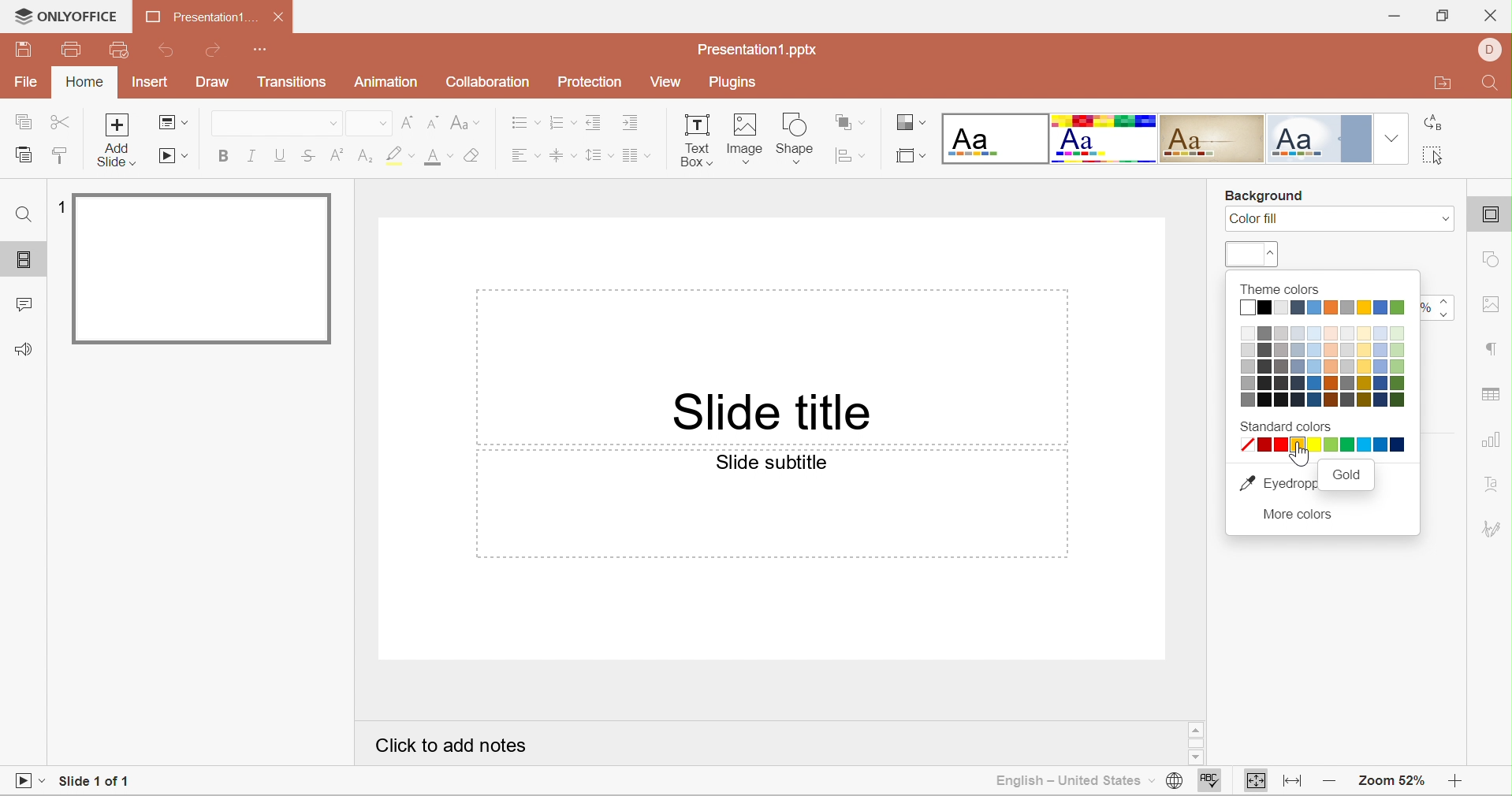 The height and width of the screenshot is (796, 1512). I want to click on Cut, so click(61, 125).